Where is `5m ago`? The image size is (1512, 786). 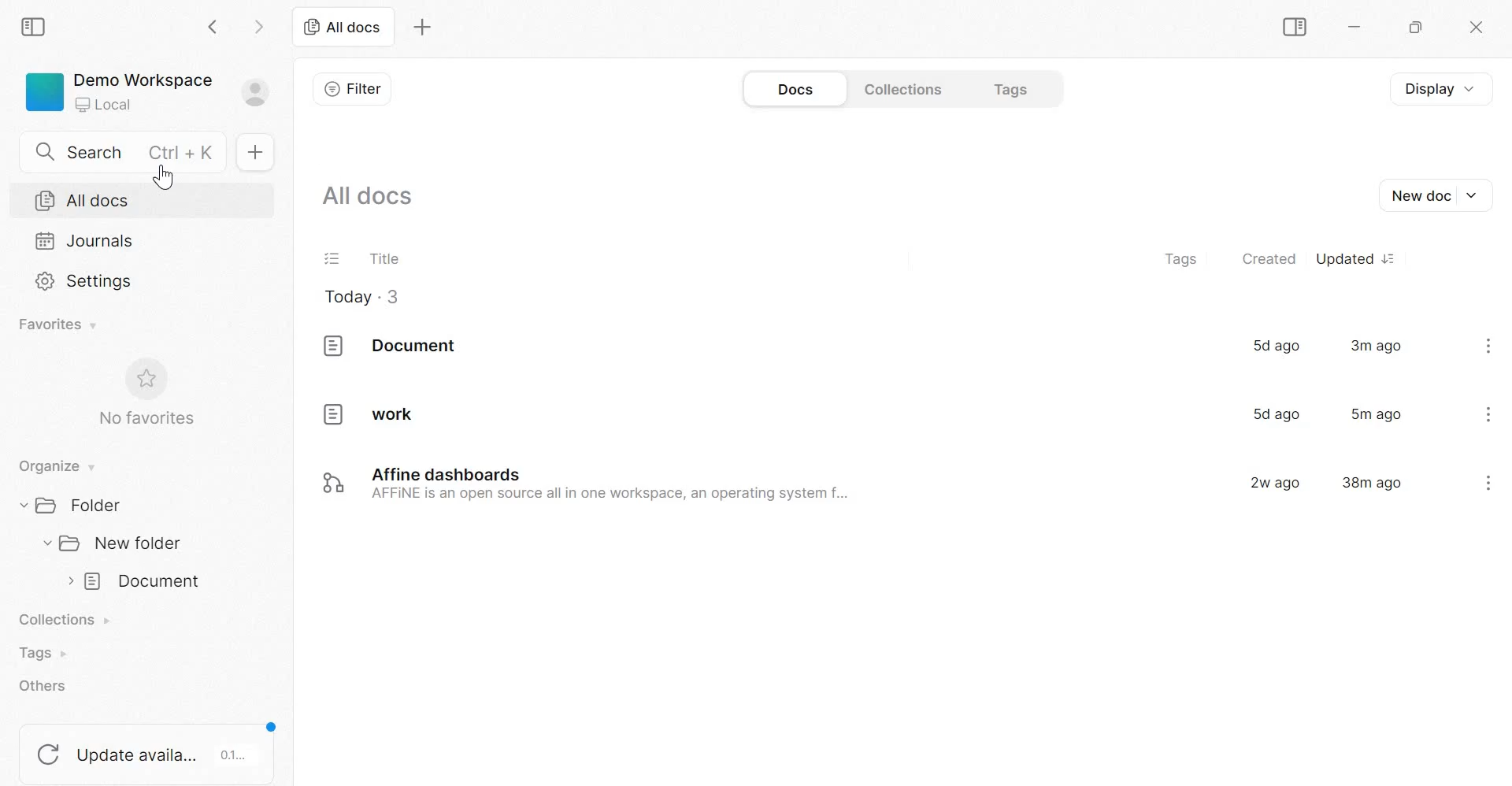 5m ago is located at coordinates (1377, 413).